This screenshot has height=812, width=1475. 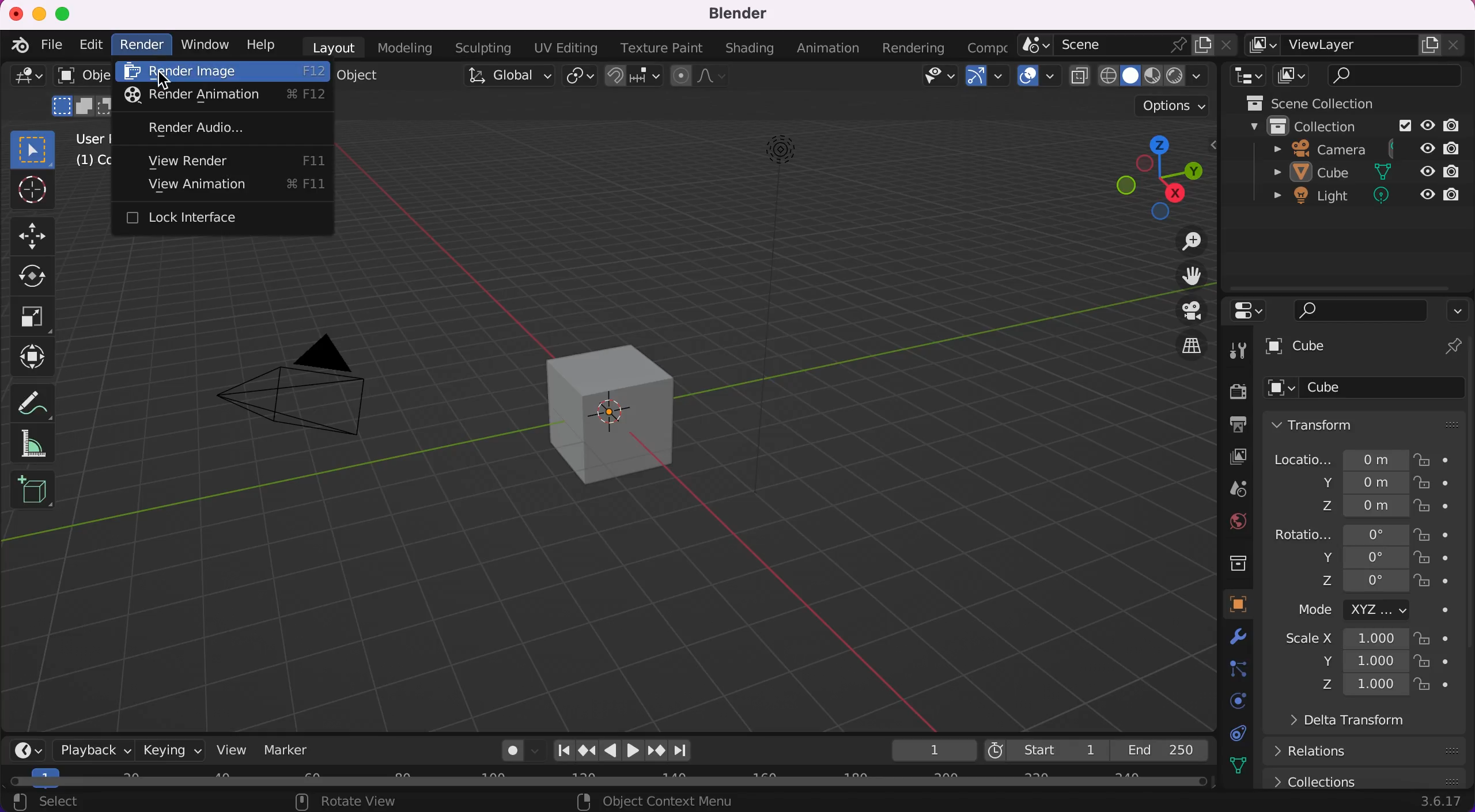 What do you see at coordinates (43, 443) in the screenshot?
I see `measure` at bounding box center [43, 443].